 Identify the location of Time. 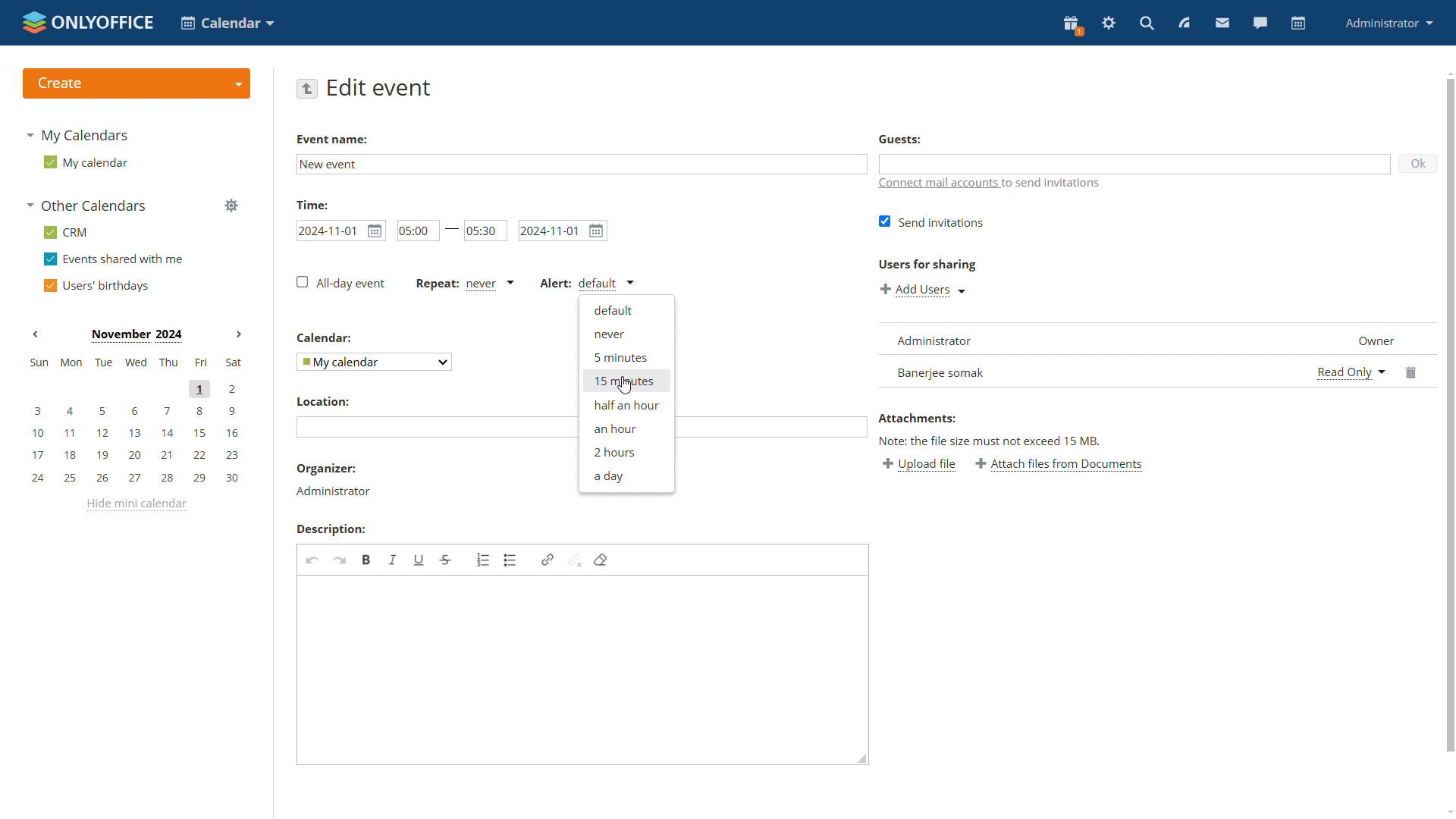
(313, 204).